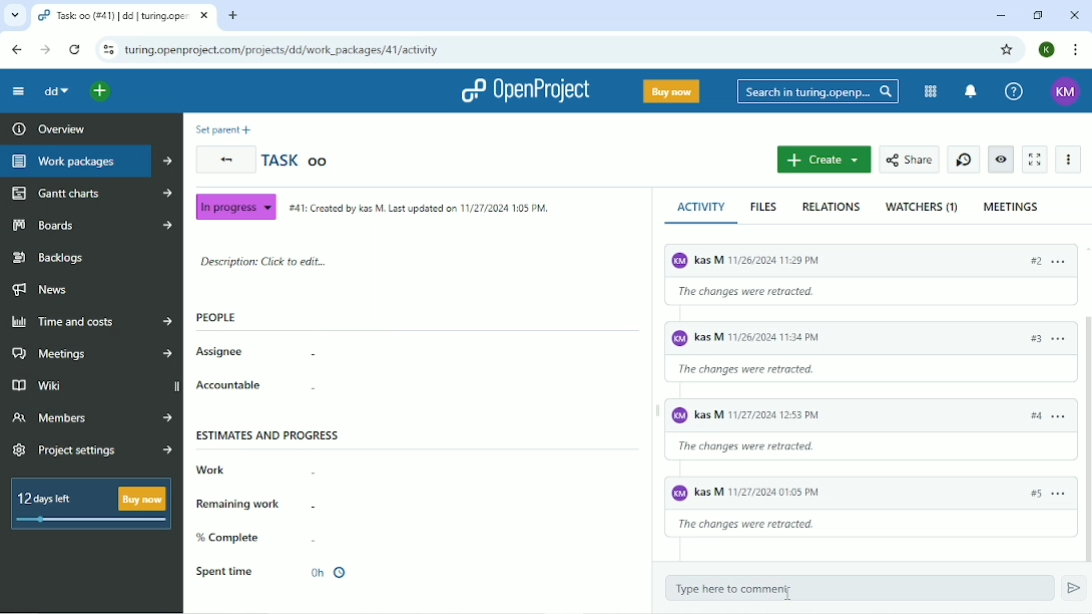 The height and width of the screenshot is (614, 1092). I want to click on Activity, so click(705, 207).